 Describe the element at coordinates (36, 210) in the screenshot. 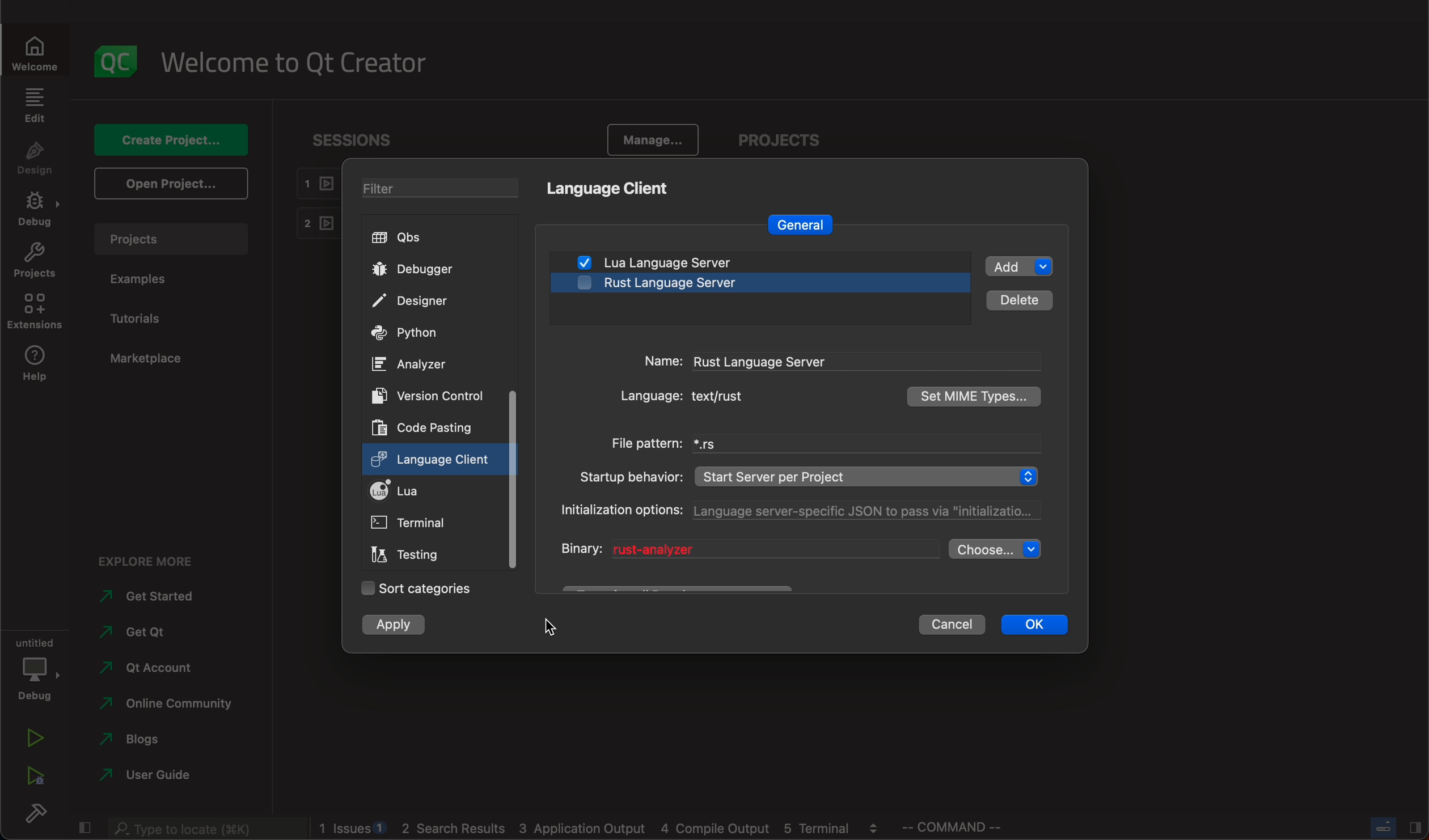

I see `debug` at that location.